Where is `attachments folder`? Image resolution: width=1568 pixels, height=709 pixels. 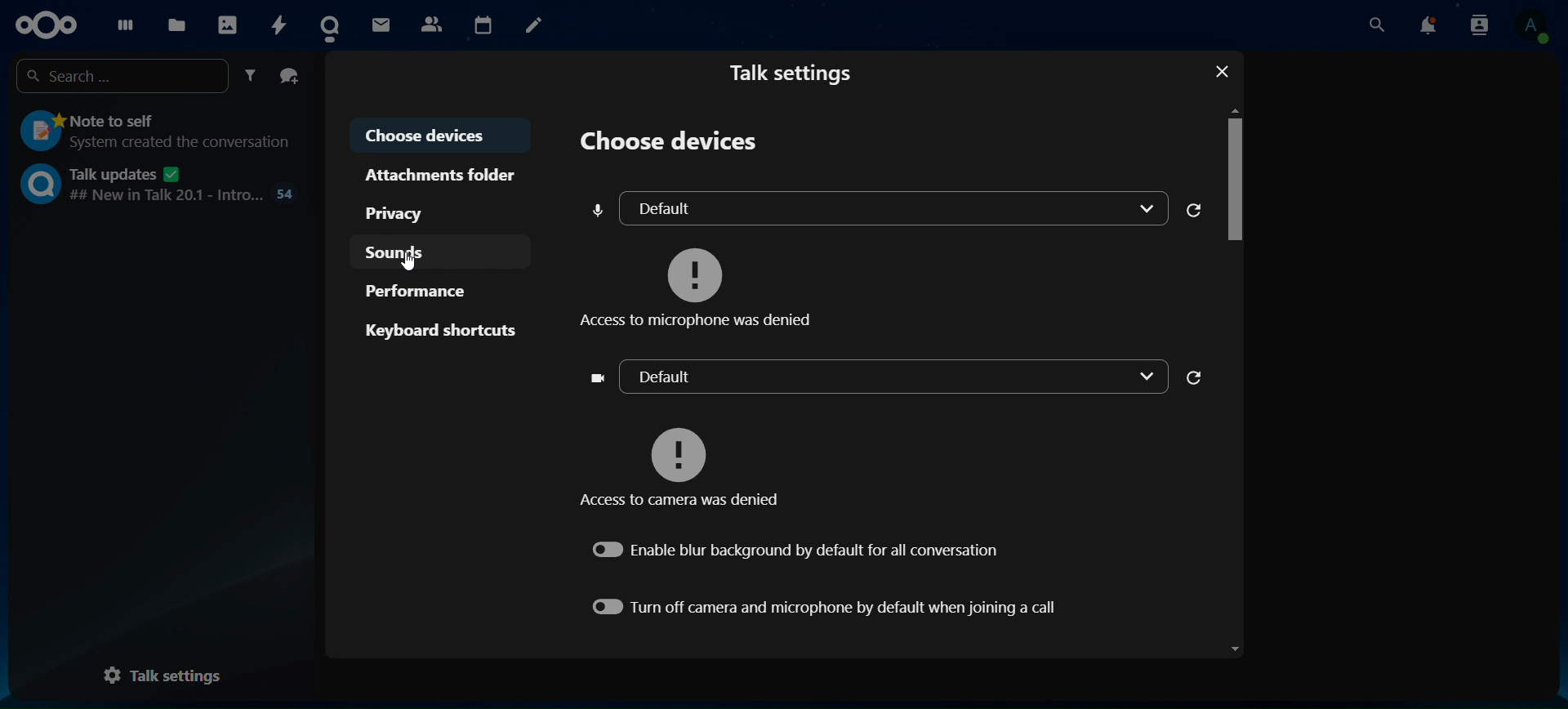
attachments folder is located at coordinates (440, 176).